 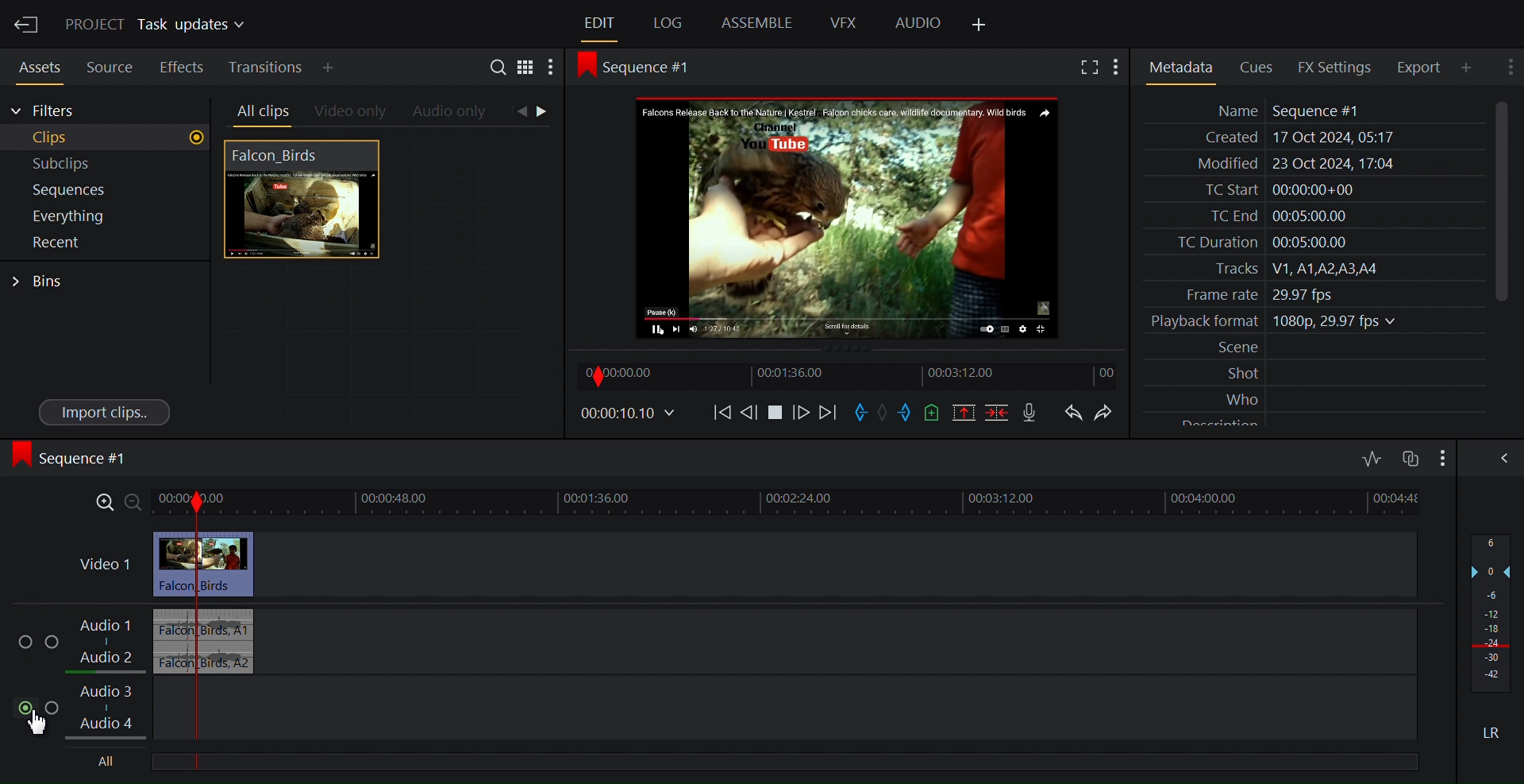 What do you see at coordinates (1180, 67) in the screenshot?
I see `Metadata Panel` at bounding box center [1180, 67].